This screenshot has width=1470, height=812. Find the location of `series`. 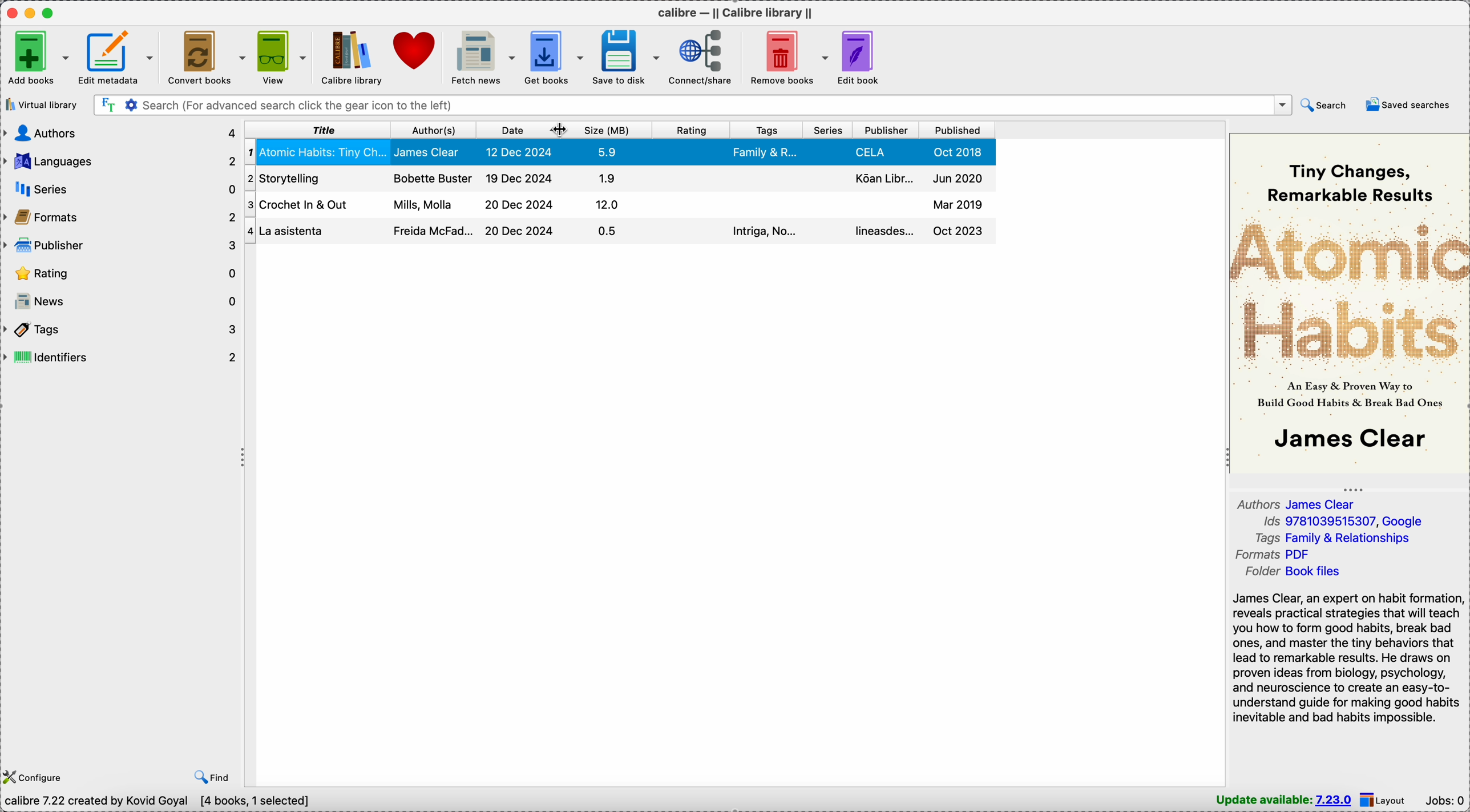

series is located at coordinates (122, 190).